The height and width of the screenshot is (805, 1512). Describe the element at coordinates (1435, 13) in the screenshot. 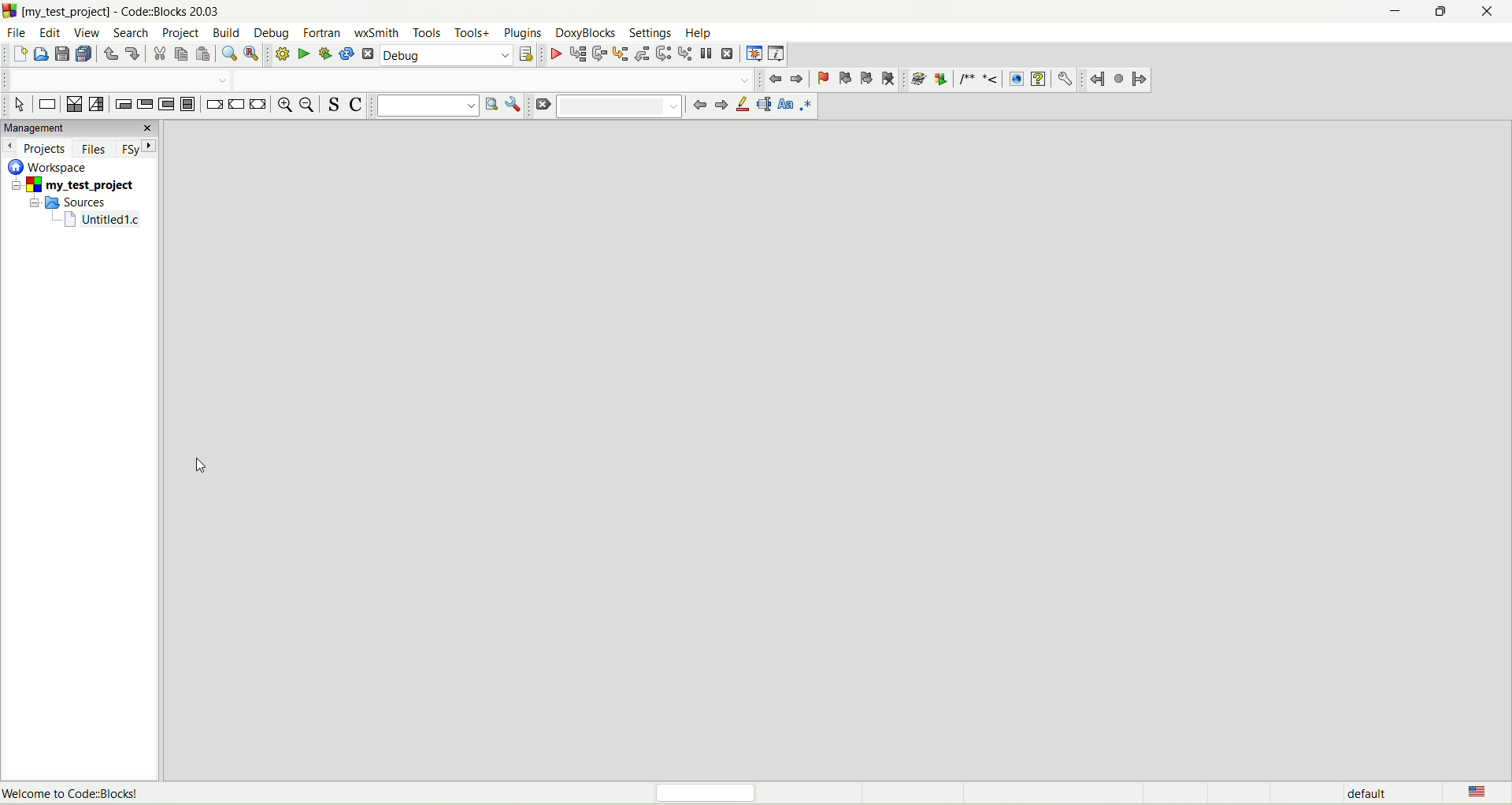

I see `maximize` at that location.